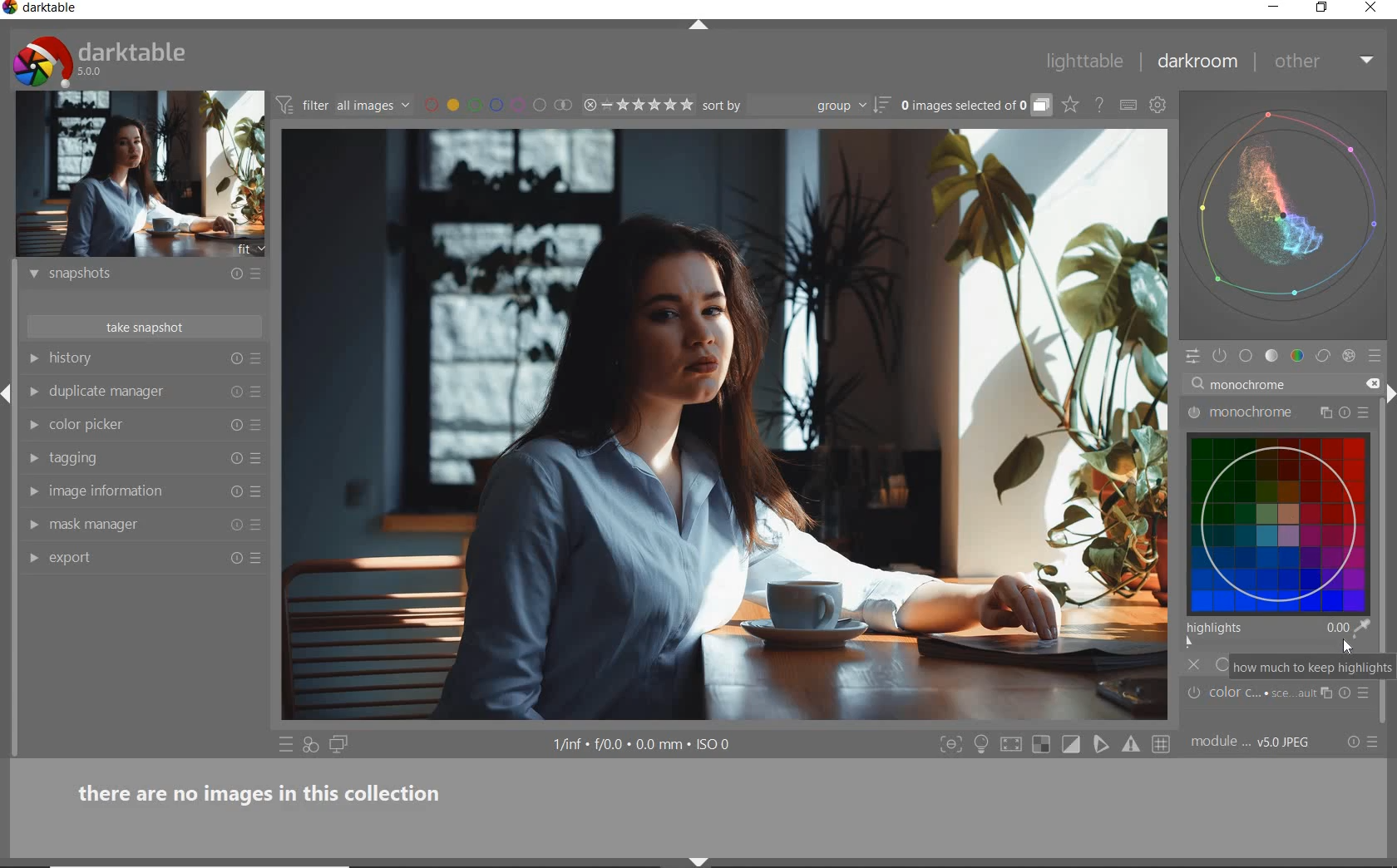 Image resolution: width=1397 pixels, height=868 pixels. I want to click on Color C..., so click(1262, 693).